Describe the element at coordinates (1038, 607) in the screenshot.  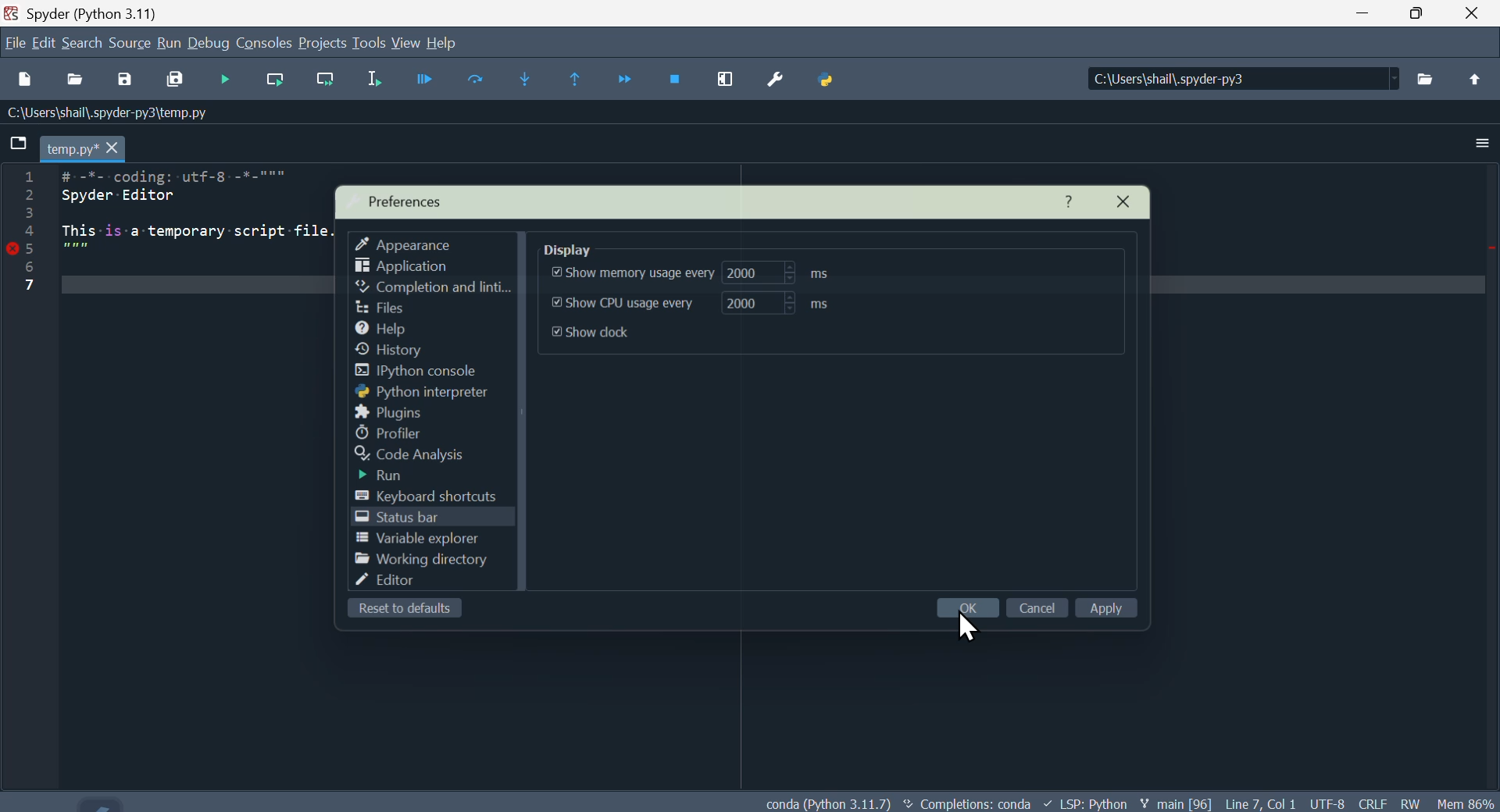
I see `Cancel` at that location.